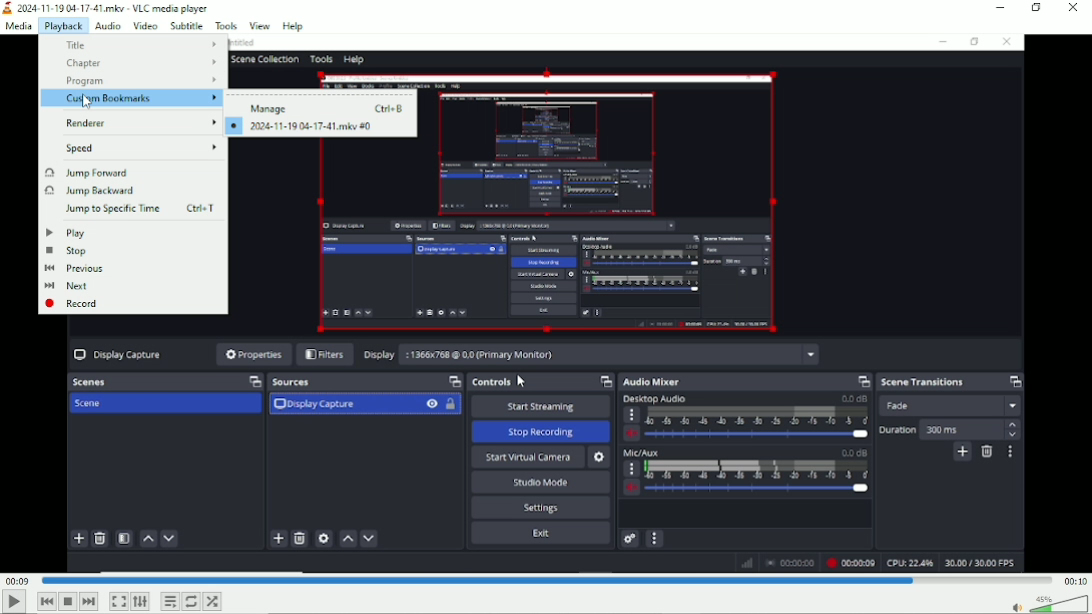 This screenshot has height=614, width=1092. Describe the element at coordinates (635, 361) in the screenshot. I see `Video` at that location.